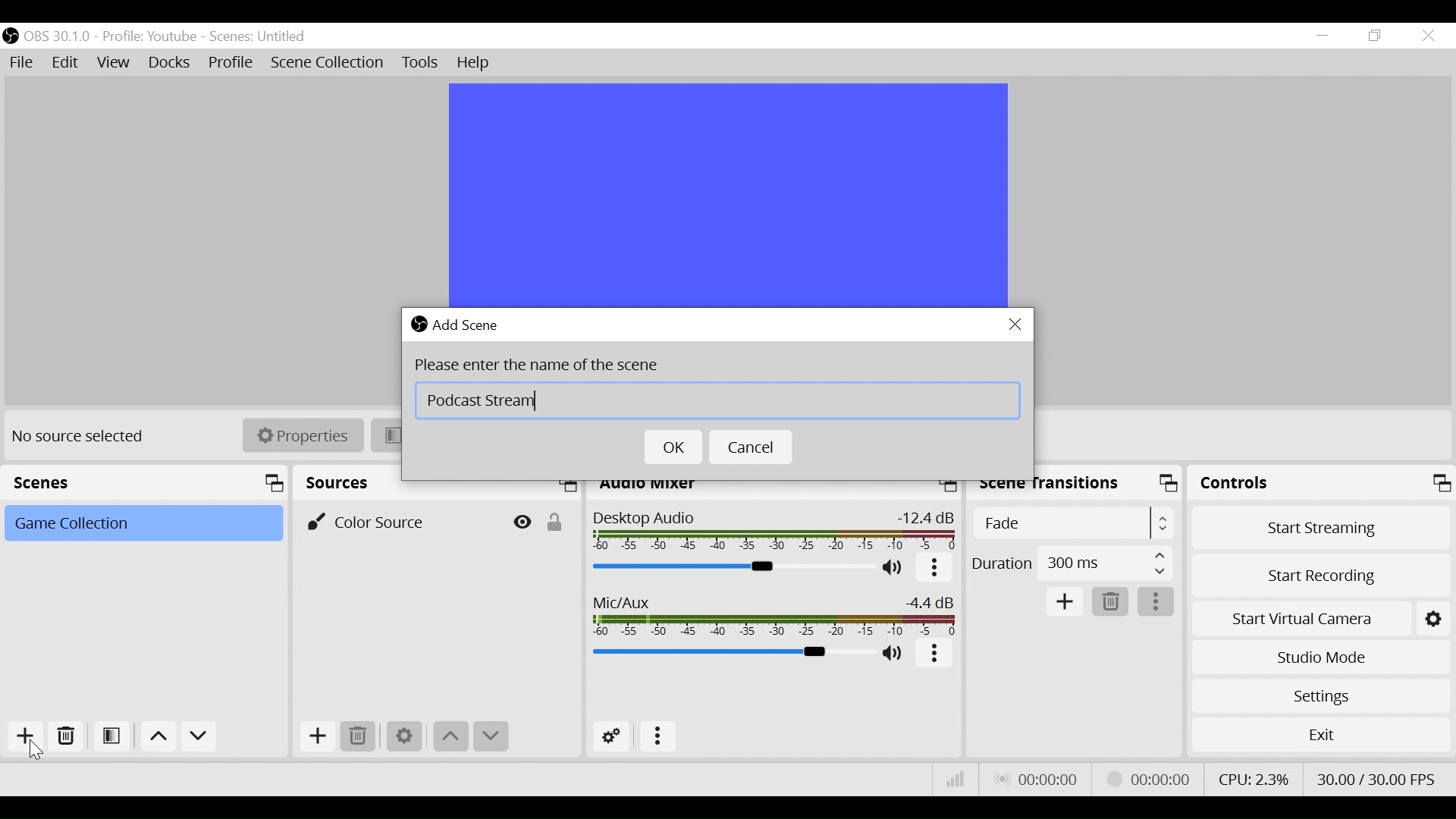 The image size is (1456, 819). Describe the element at coordinates (659, 736) in the screenshot. I see `more options` at that location.